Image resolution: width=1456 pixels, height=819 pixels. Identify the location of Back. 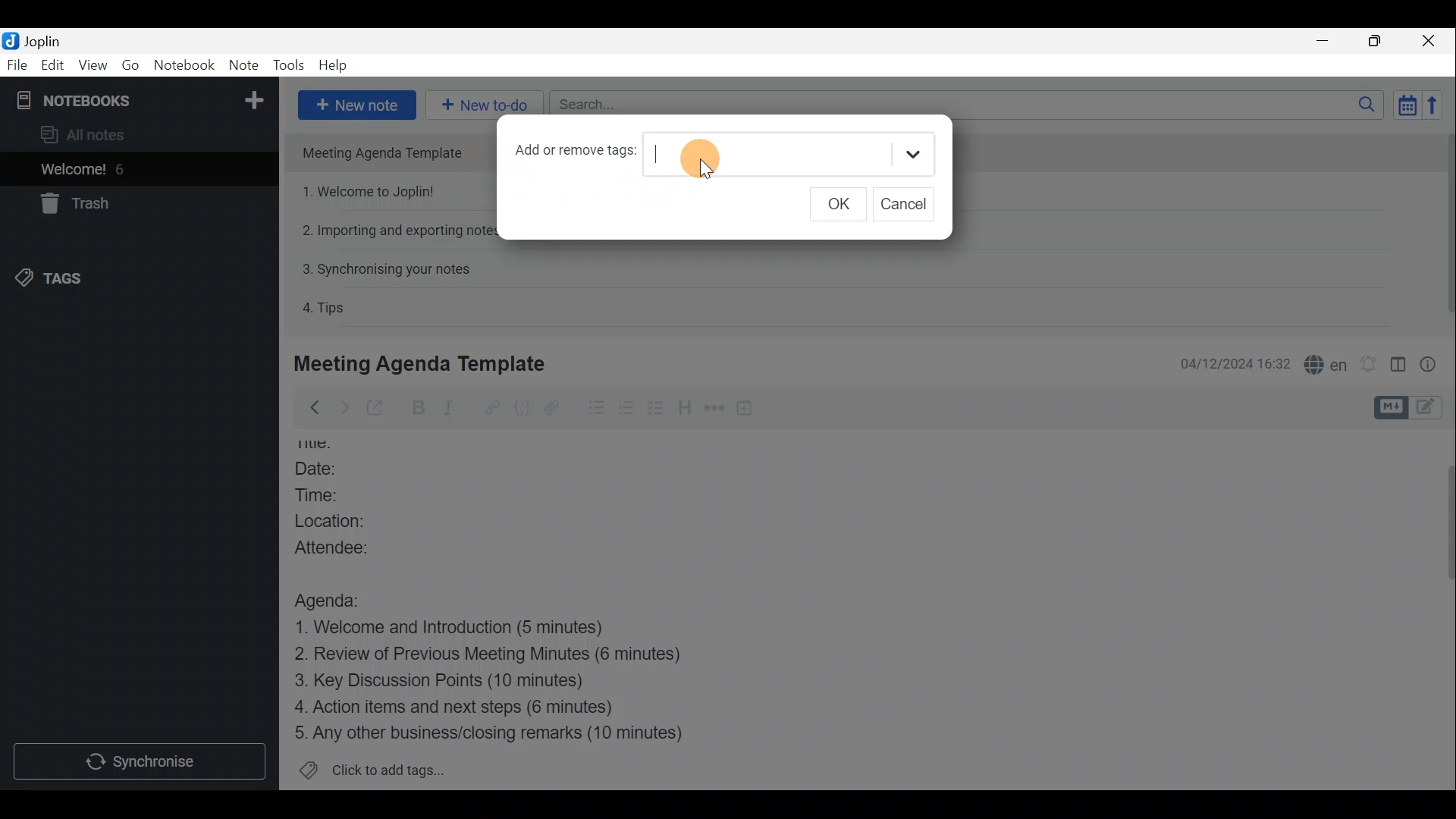
(310, 410).